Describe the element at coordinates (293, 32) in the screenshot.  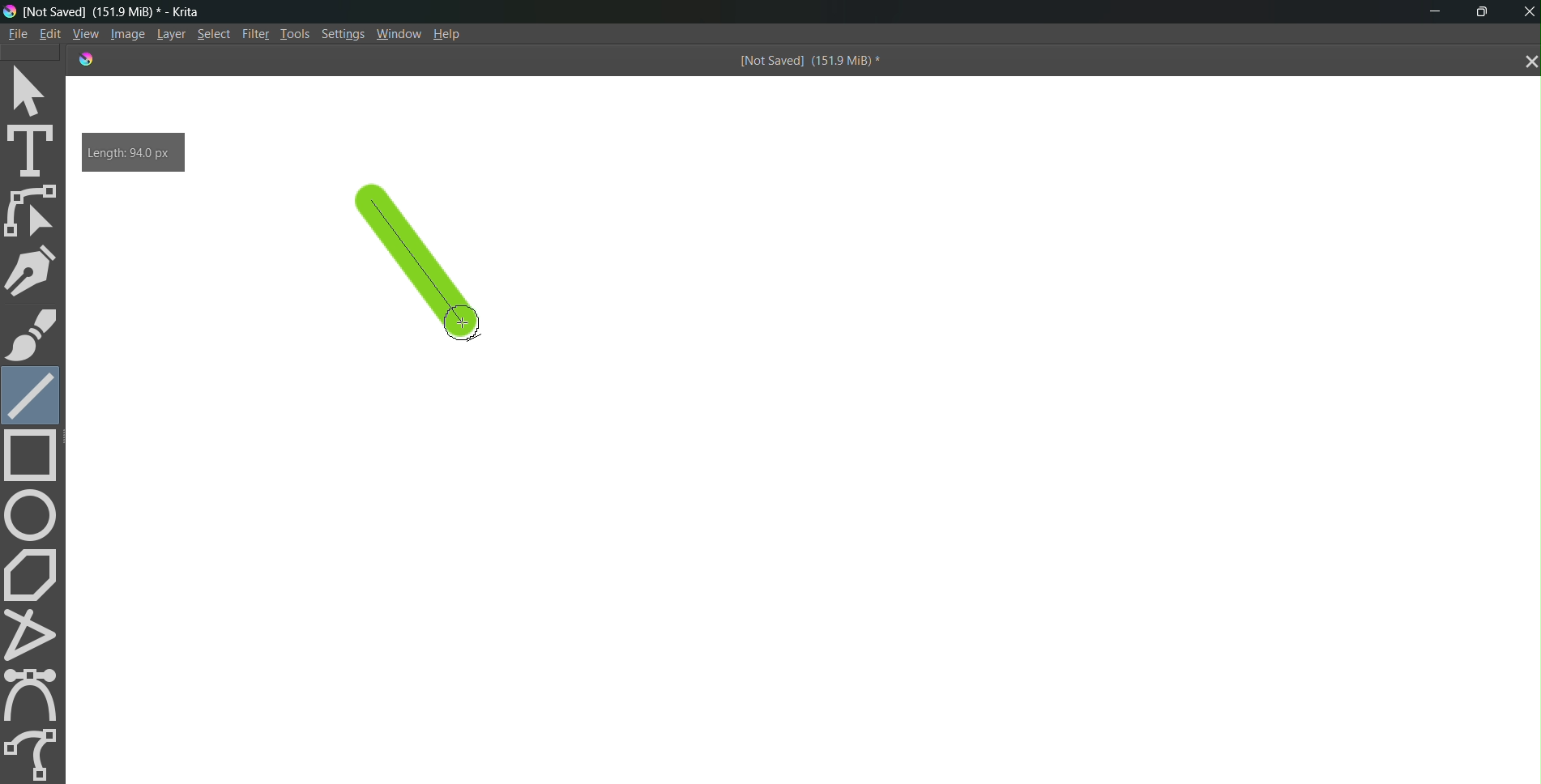
I see `Tools` at that location.